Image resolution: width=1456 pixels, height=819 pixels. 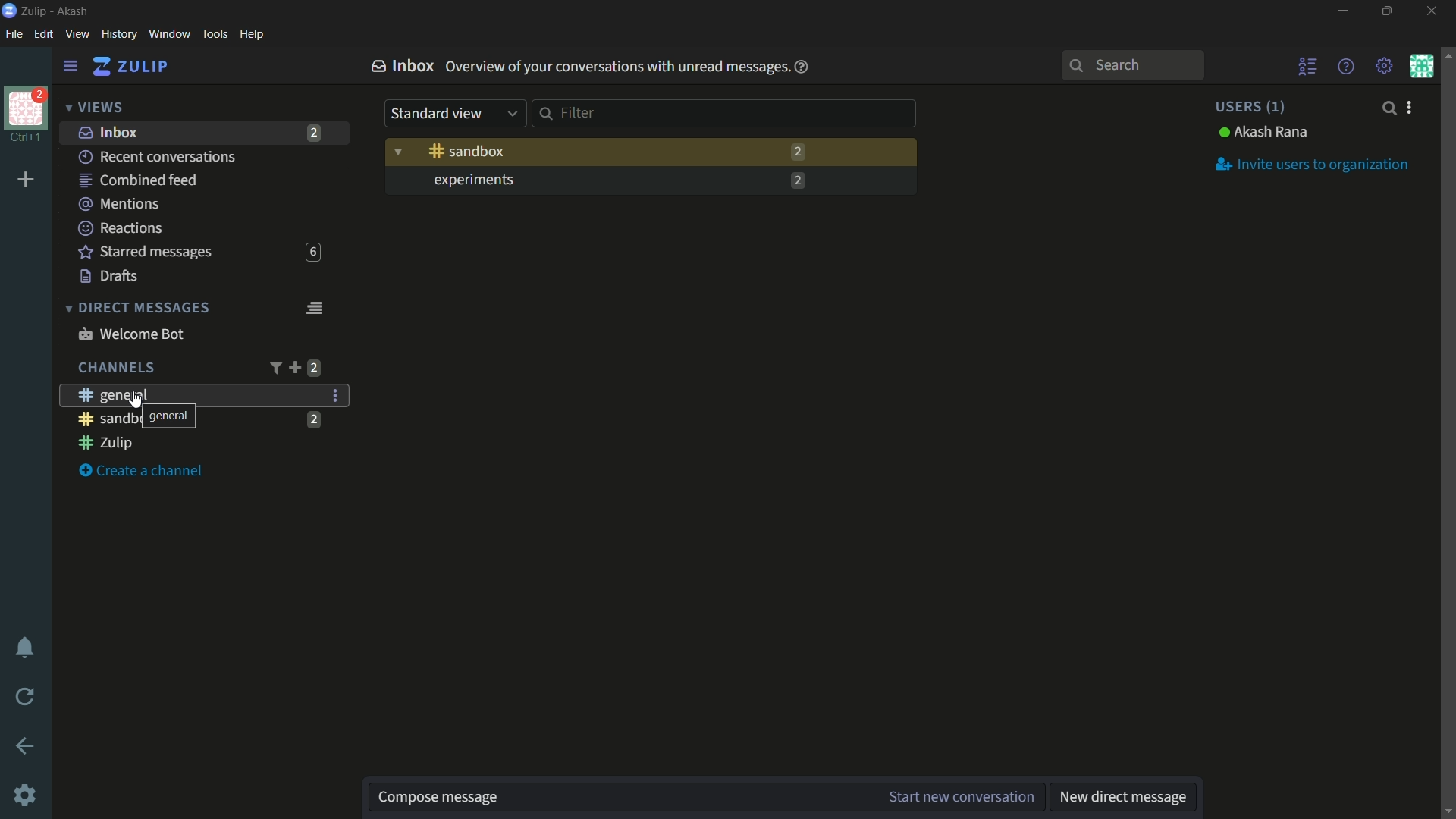 What do you see at coordinates (94, 108) in the screenshot?
I see `views dropdown` at bounding box center [94, 108].